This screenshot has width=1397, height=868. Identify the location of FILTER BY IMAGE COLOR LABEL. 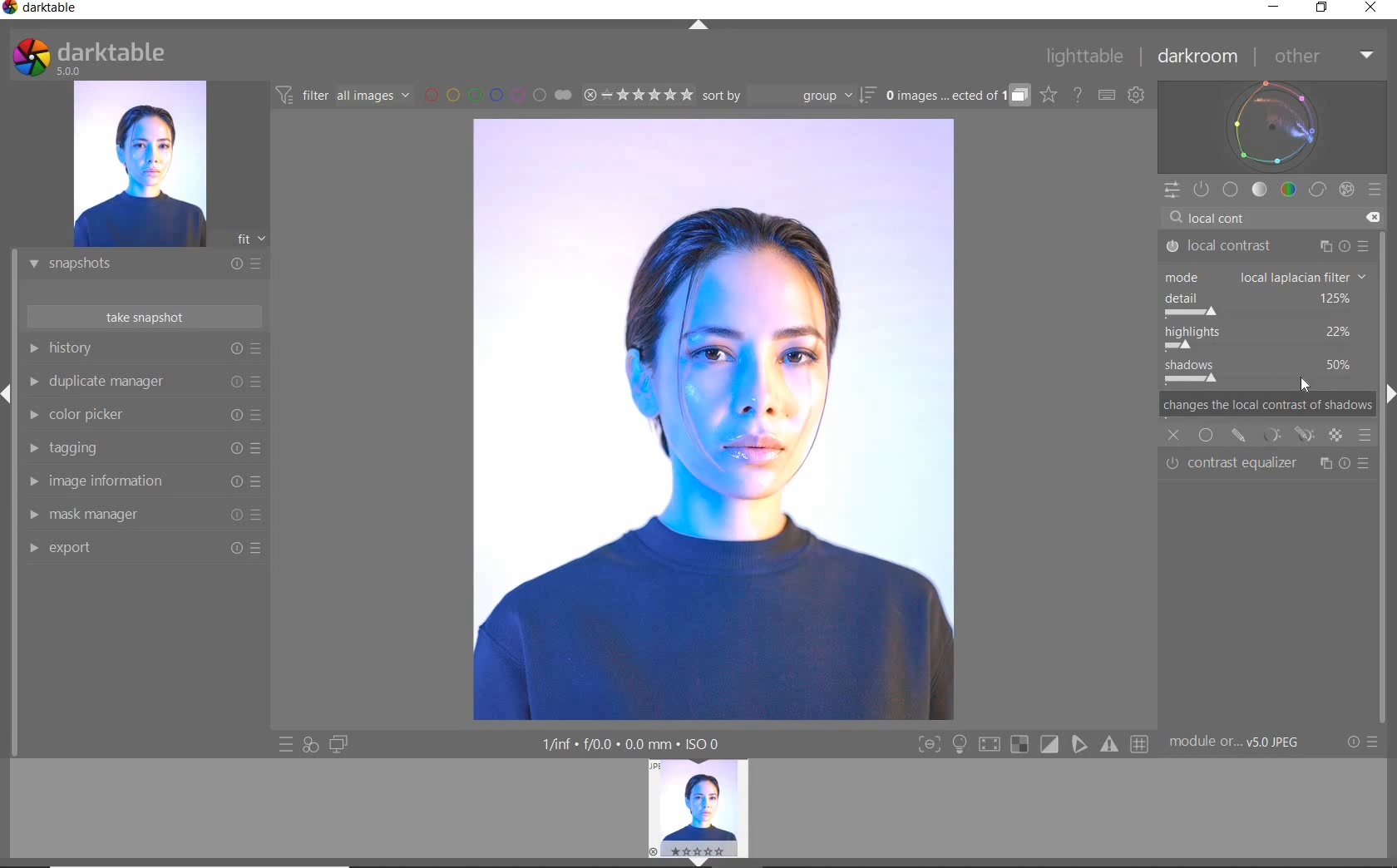
(498, 94).